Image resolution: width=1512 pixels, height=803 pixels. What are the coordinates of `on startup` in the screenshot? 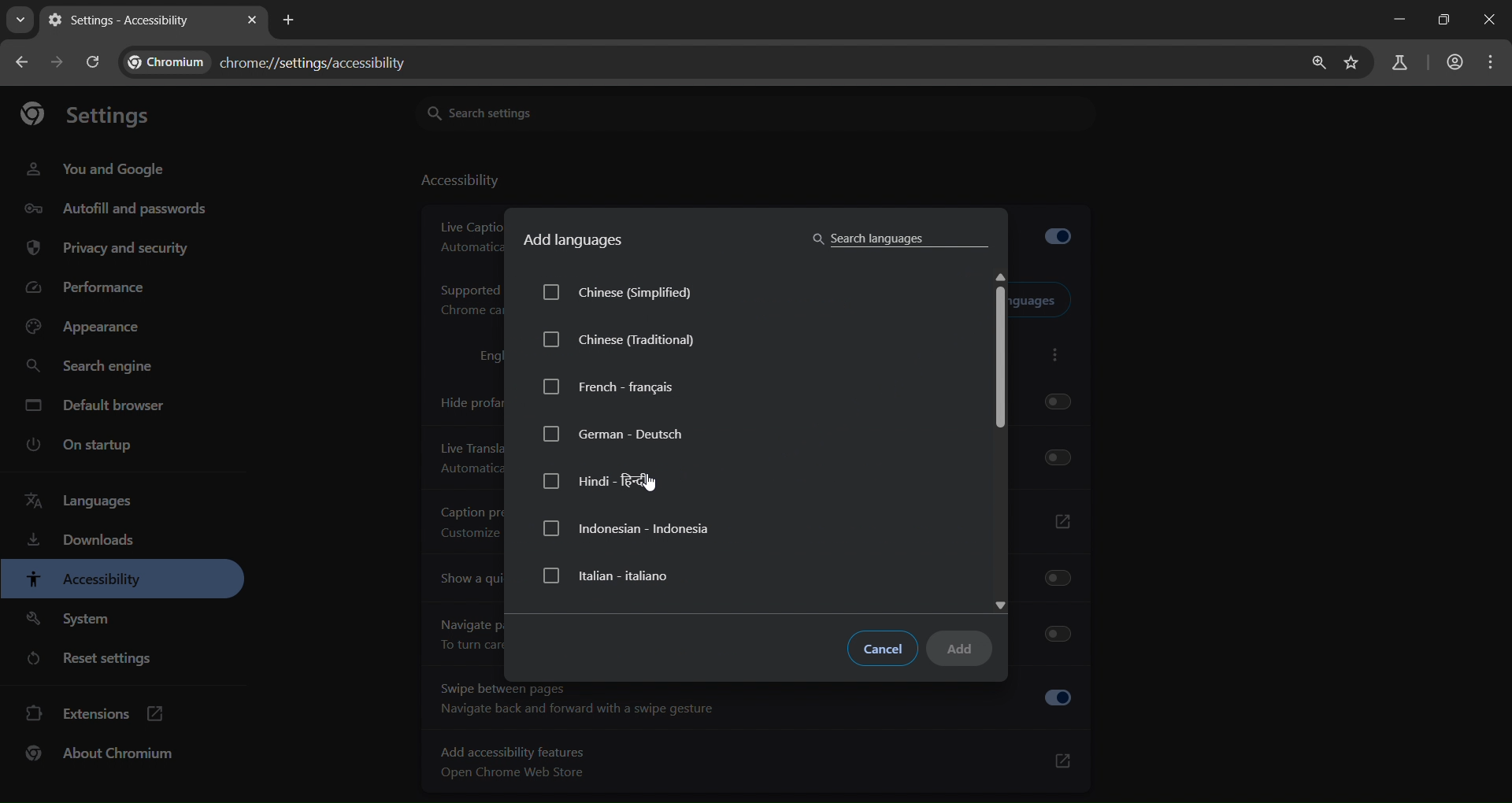 It's located at (76, 446).